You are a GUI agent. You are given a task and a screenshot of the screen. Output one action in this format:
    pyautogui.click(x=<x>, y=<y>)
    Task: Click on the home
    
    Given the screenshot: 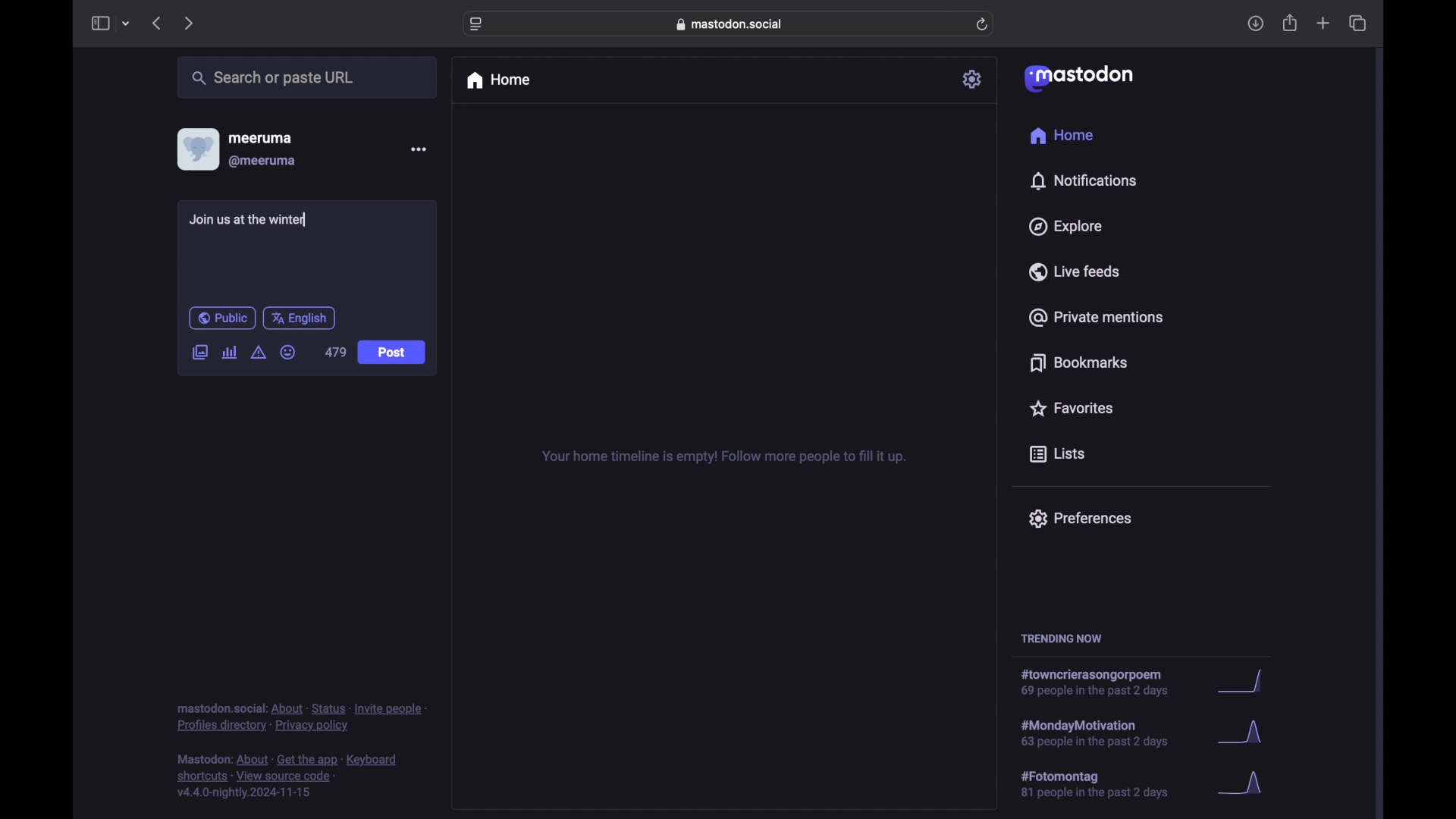 What is the action you would take?
    pyautogui.click(x=1061, y=136)
    